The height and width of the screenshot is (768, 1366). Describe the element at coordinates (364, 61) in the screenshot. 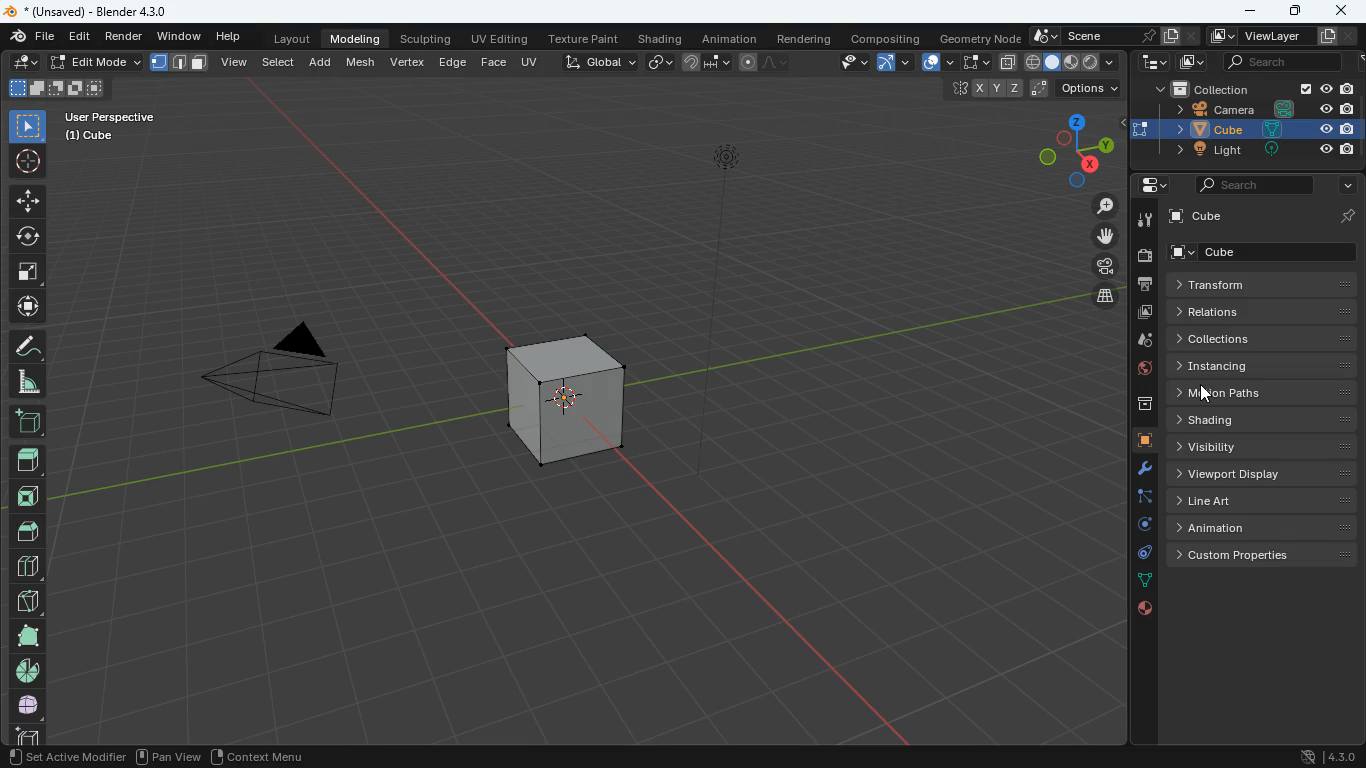

I see `mesh` at that location.